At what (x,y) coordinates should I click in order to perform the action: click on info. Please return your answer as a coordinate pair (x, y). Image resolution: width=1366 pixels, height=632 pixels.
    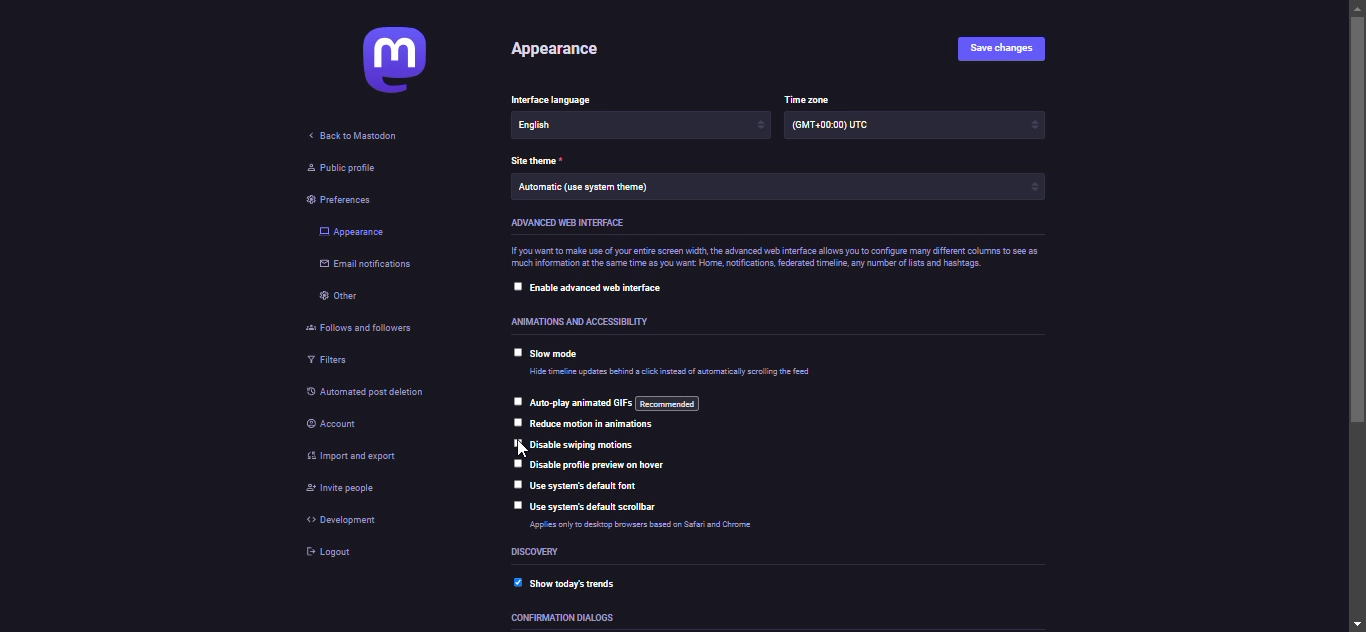
    Looking at the image, I should click on (775, 259).